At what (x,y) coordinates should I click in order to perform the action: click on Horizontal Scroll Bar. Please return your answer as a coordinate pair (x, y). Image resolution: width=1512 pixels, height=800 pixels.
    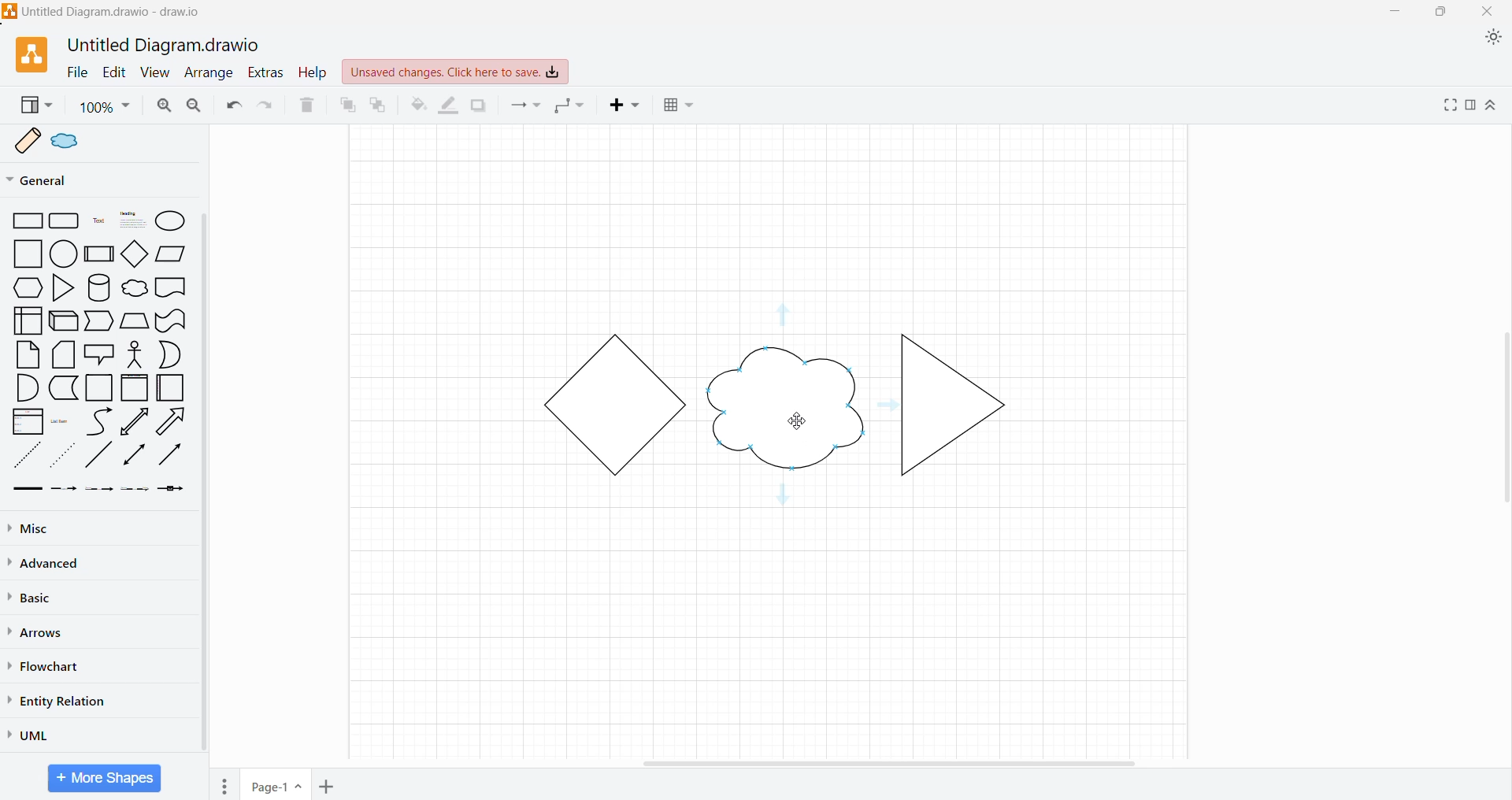
    Looking at the image, I should click on (891, 761).